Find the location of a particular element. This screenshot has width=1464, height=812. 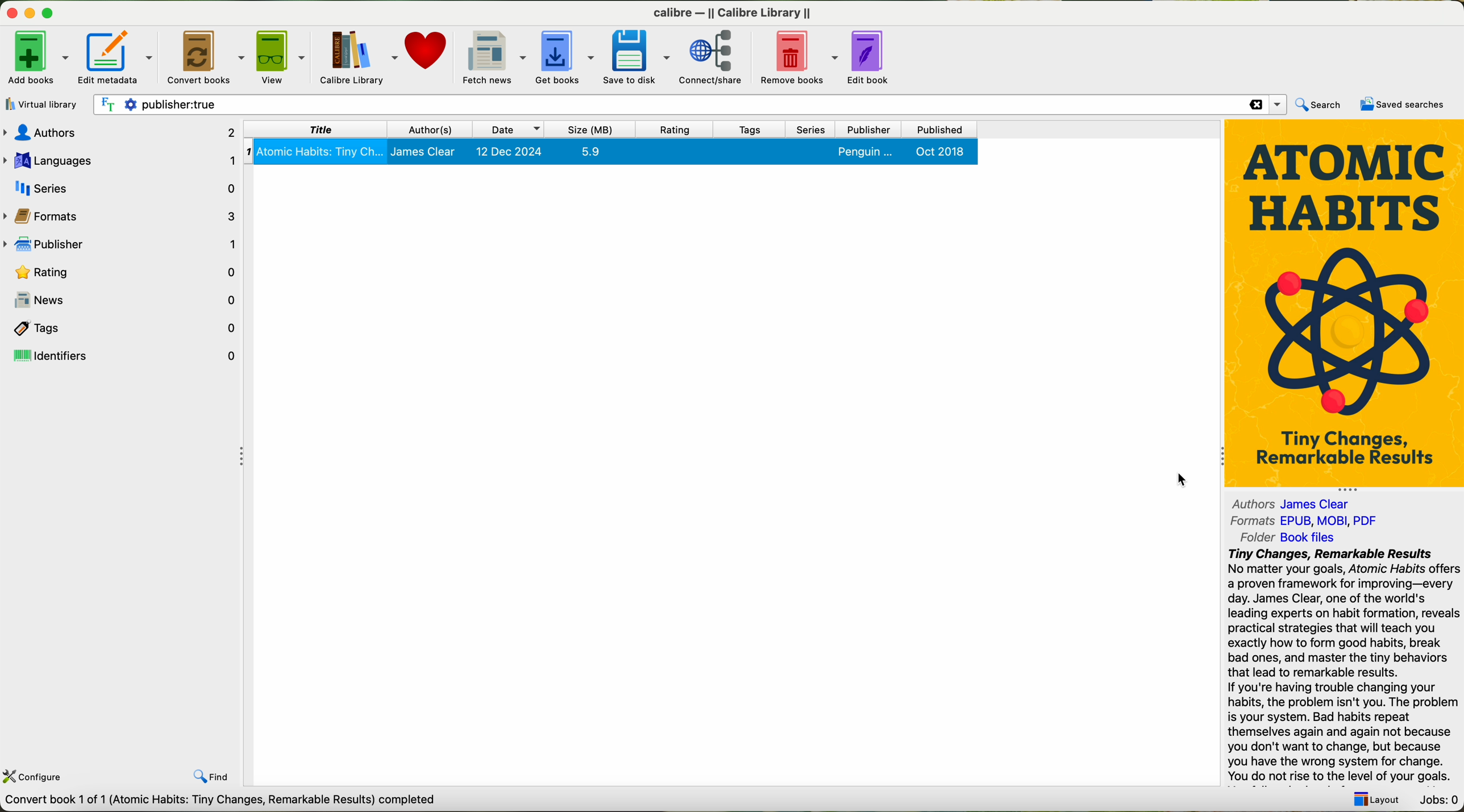

tags is located at coordinates (748, 129).